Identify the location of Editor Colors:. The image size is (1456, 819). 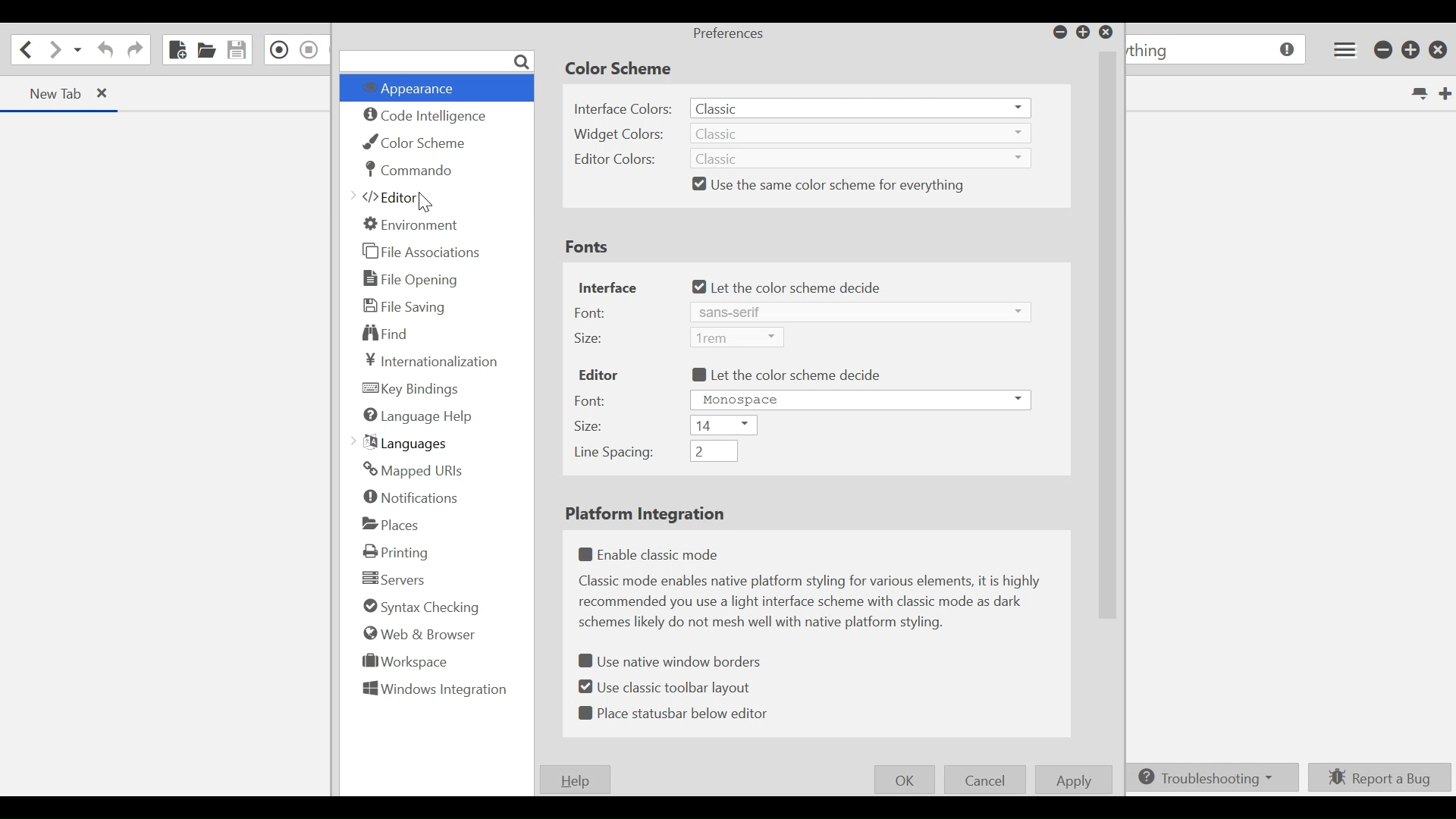
(615, 158).